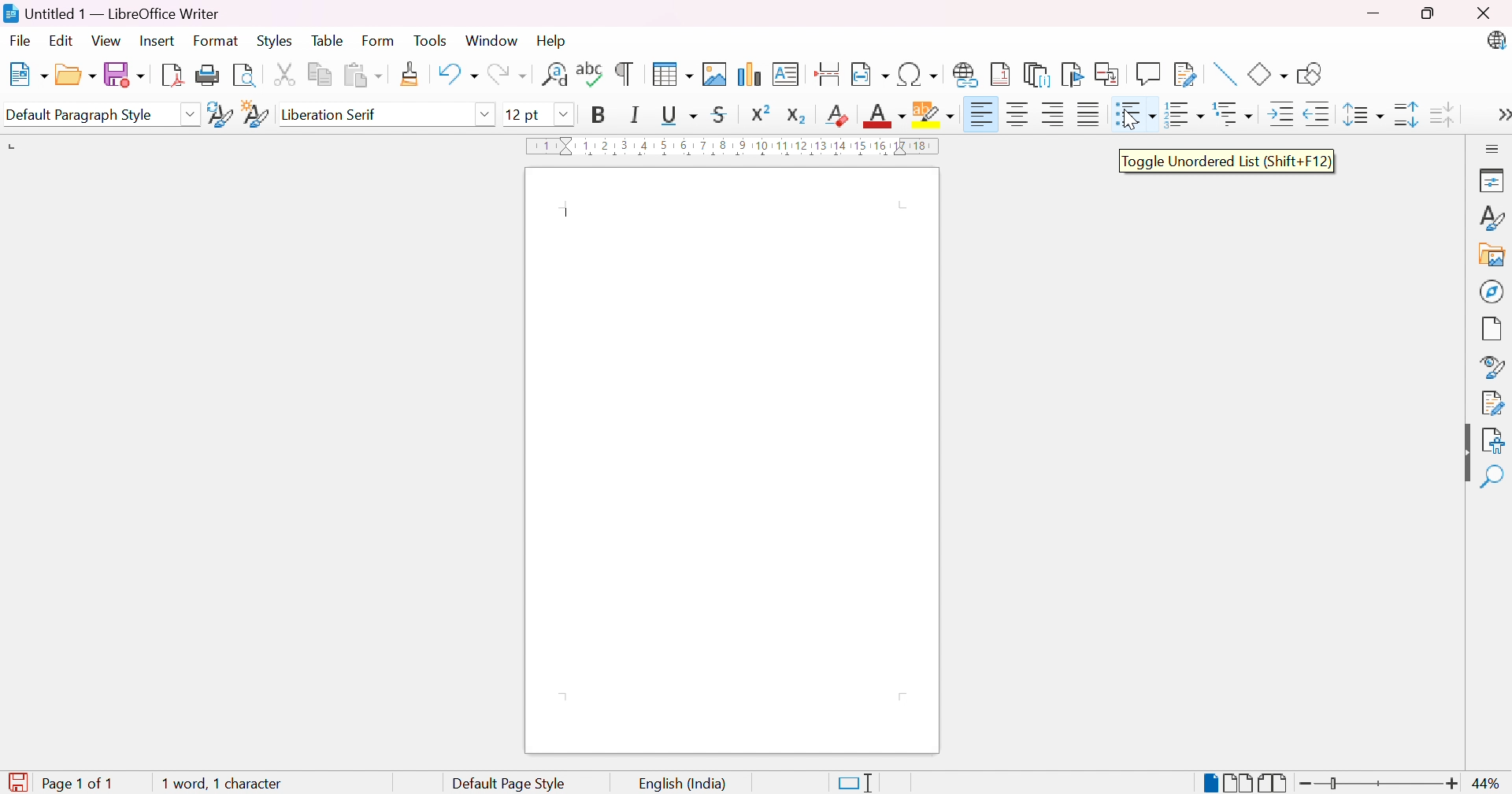 Image resolution: width=1512 pixels, height=794 pixels. I want to click on Find and replace, so click(553, 76).